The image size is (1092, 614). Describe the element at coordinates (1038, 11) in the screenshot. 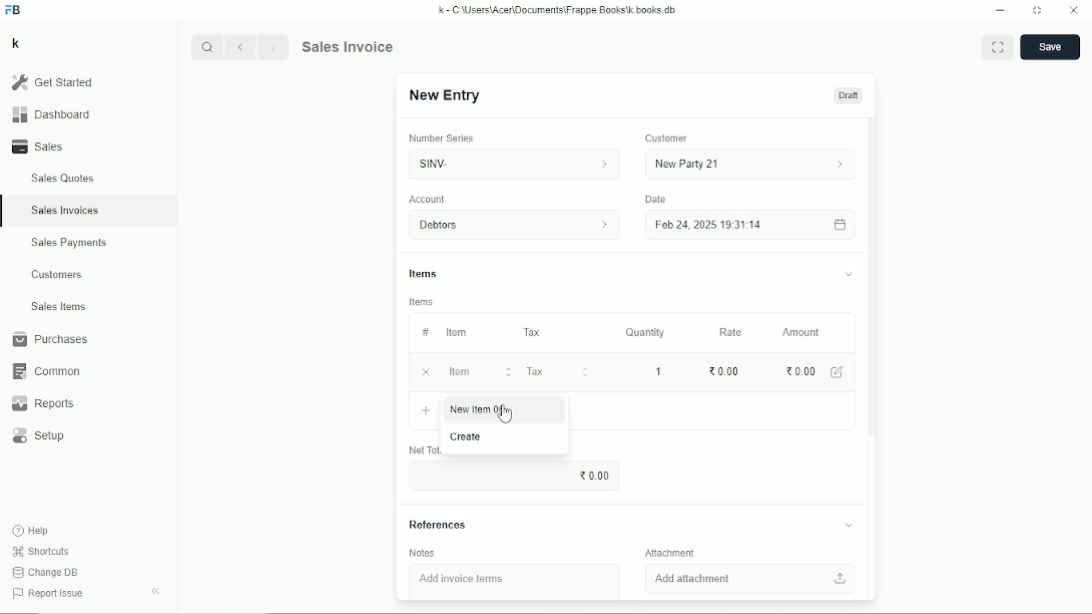

I see `Toggle between form and full width` at that location.